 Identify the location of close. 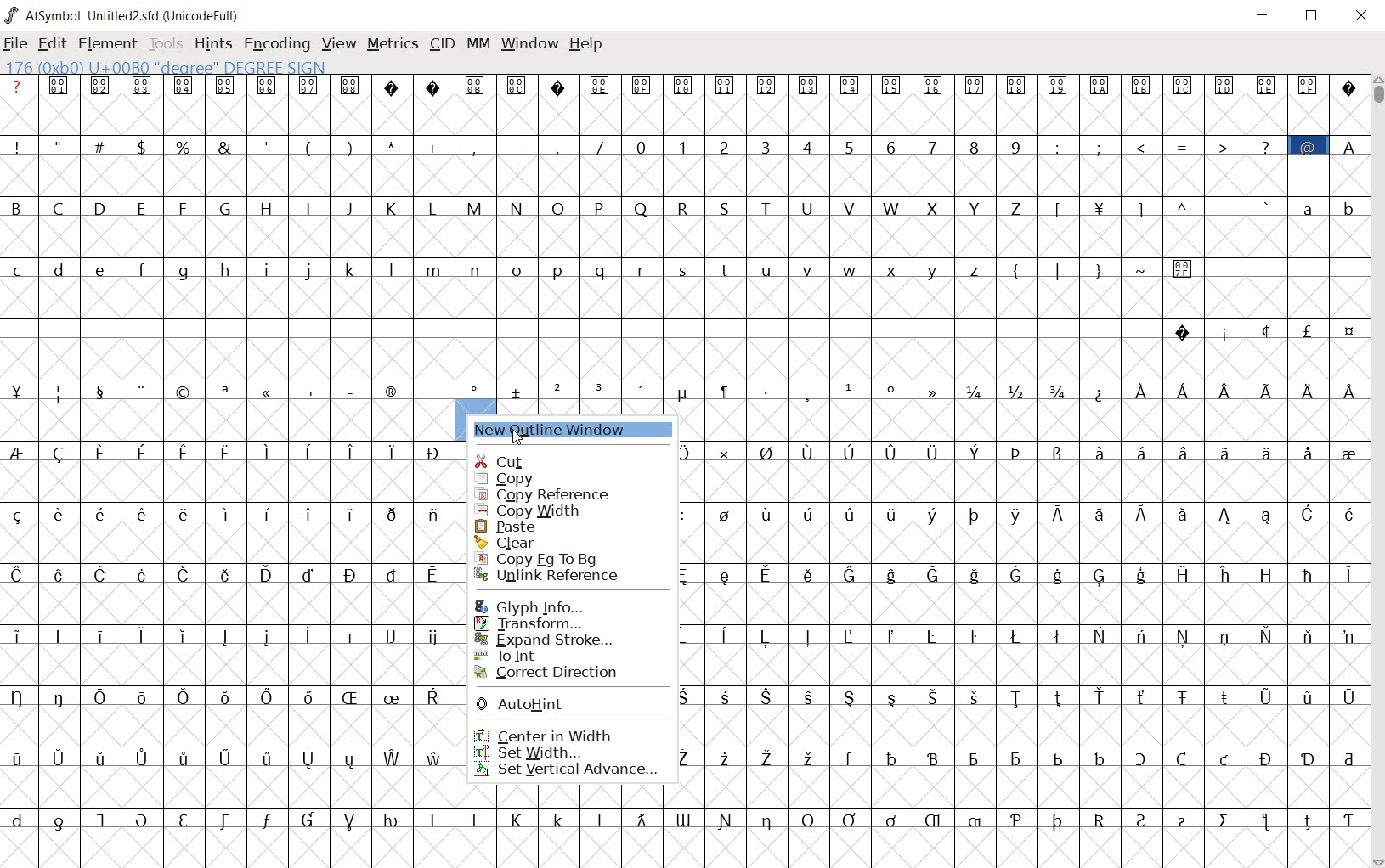
(1362, 17).